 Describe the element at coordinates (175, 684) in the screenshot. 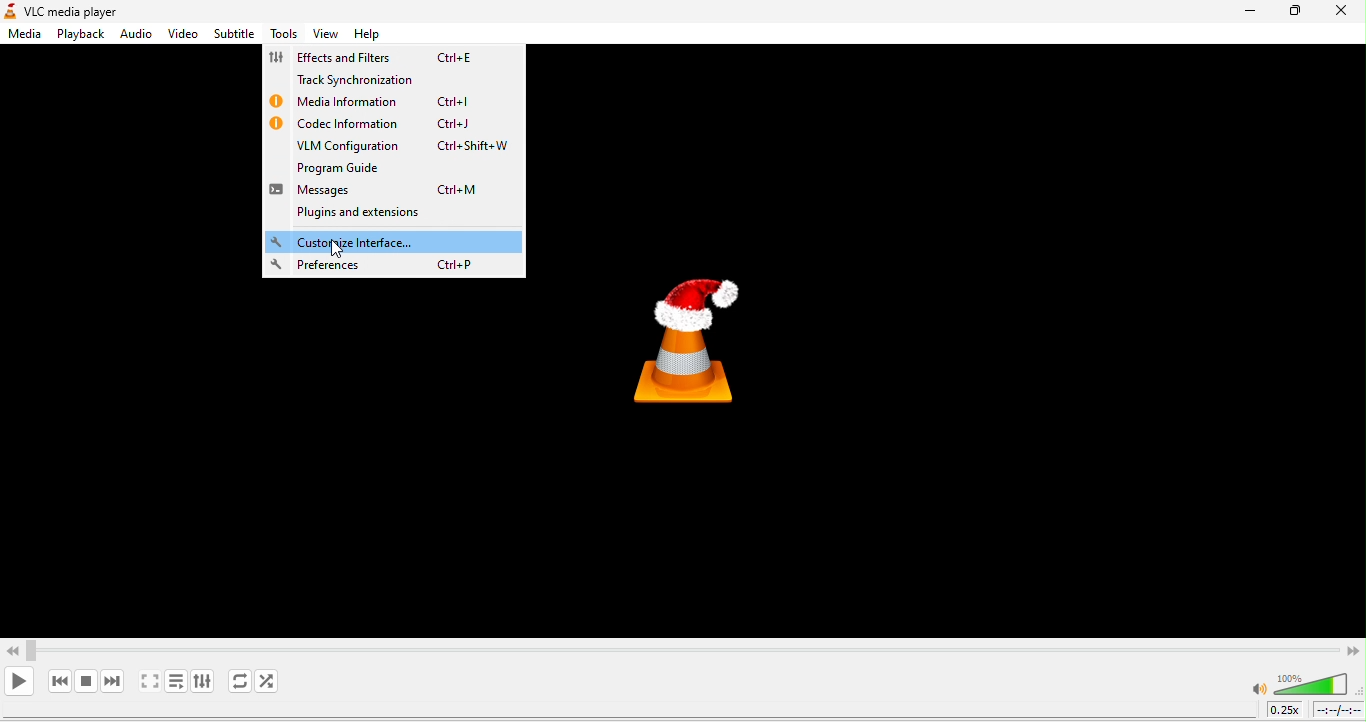

I see `toggle playlist` at that location.